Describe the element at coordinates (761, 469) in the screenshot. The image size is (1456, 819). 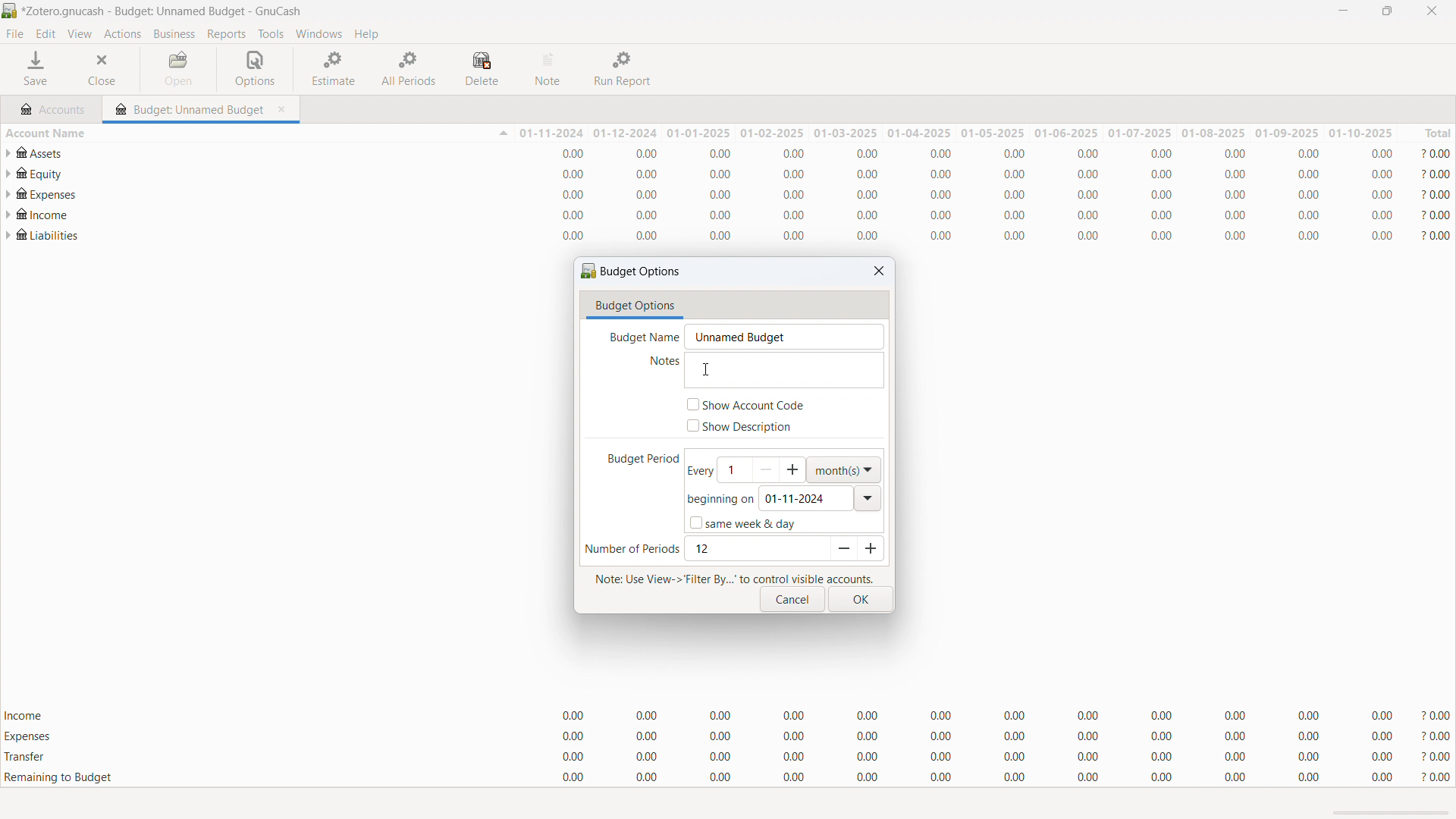
I see `set budget period` at that location.